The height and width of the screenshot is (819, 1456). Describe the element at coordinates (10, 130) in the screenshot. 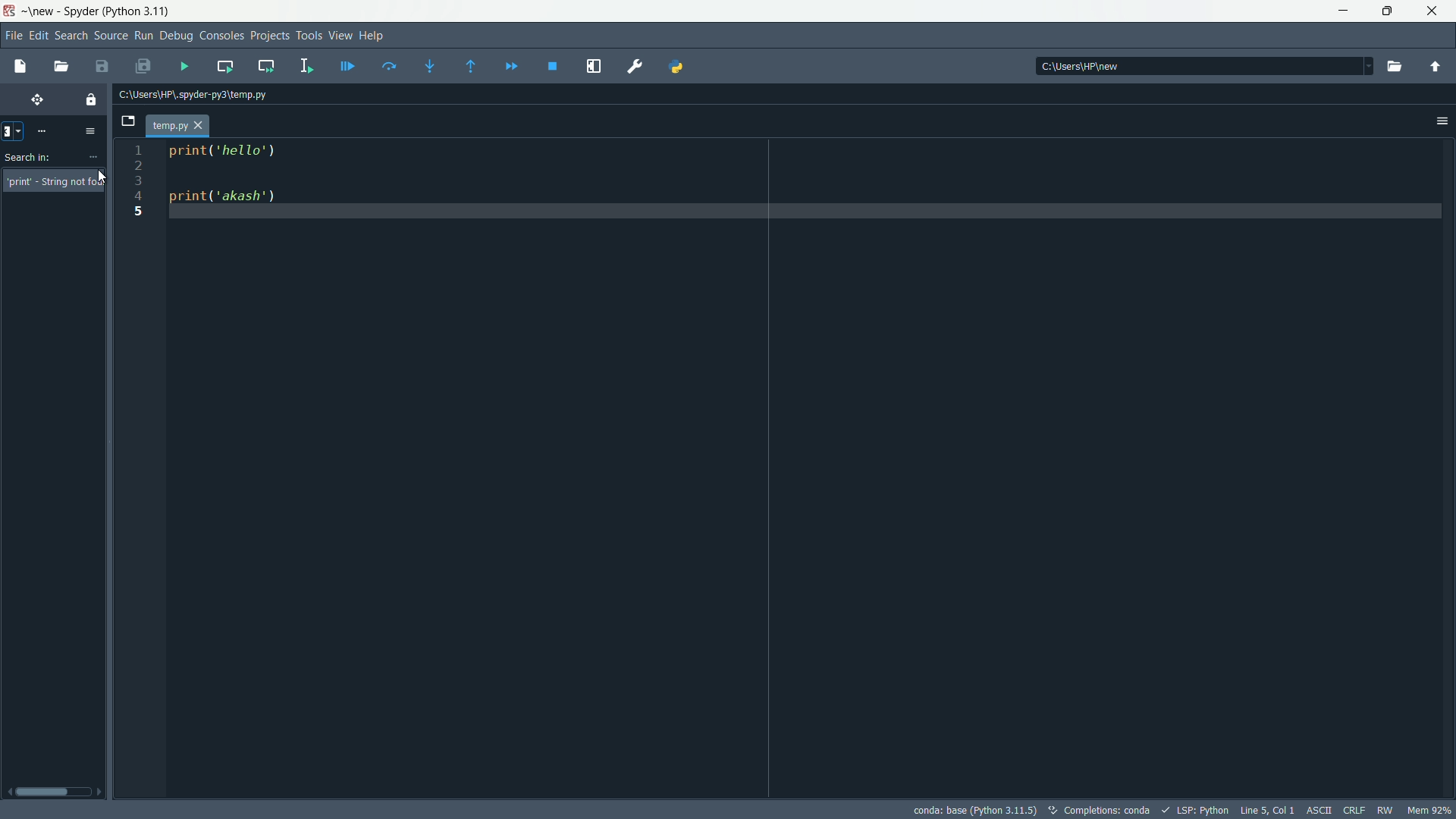

I see `clear` at that location.